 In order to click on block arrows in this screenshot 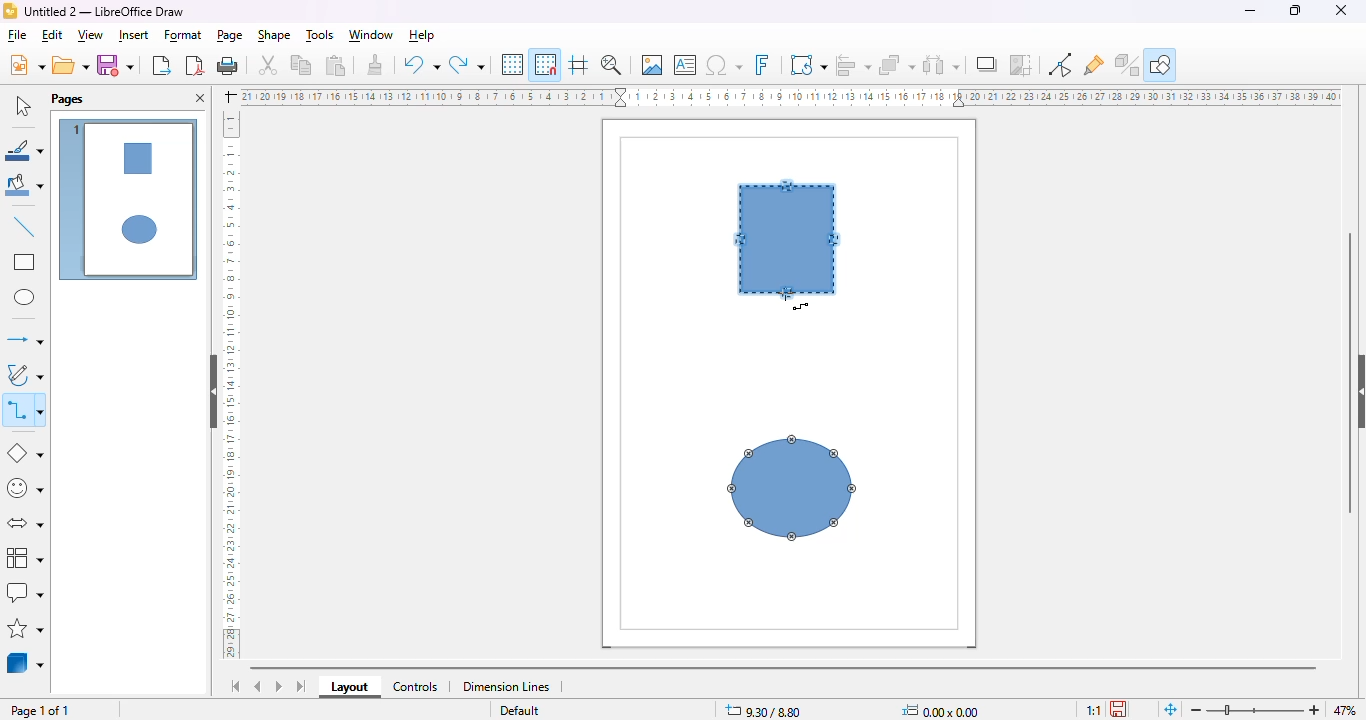, I will do `click(27, 523)`.